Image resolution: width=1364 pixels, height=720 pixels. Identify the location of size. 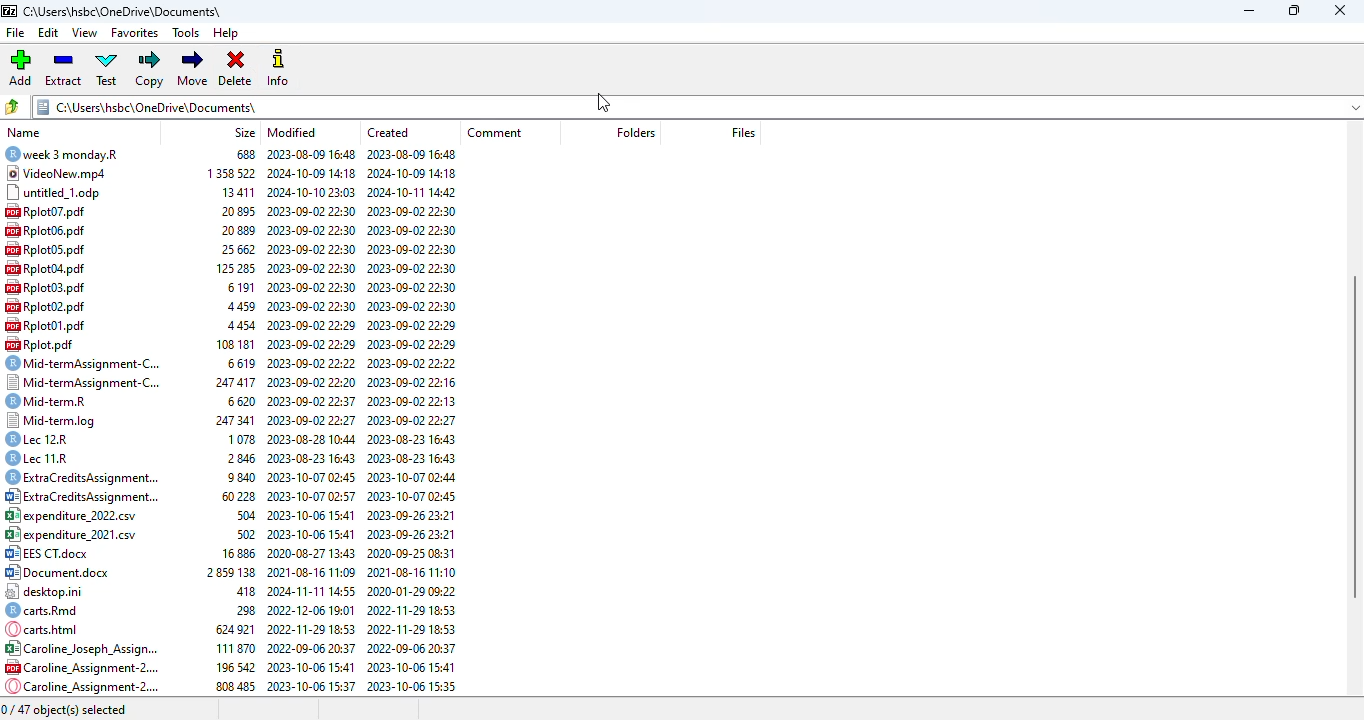
(245, 132).